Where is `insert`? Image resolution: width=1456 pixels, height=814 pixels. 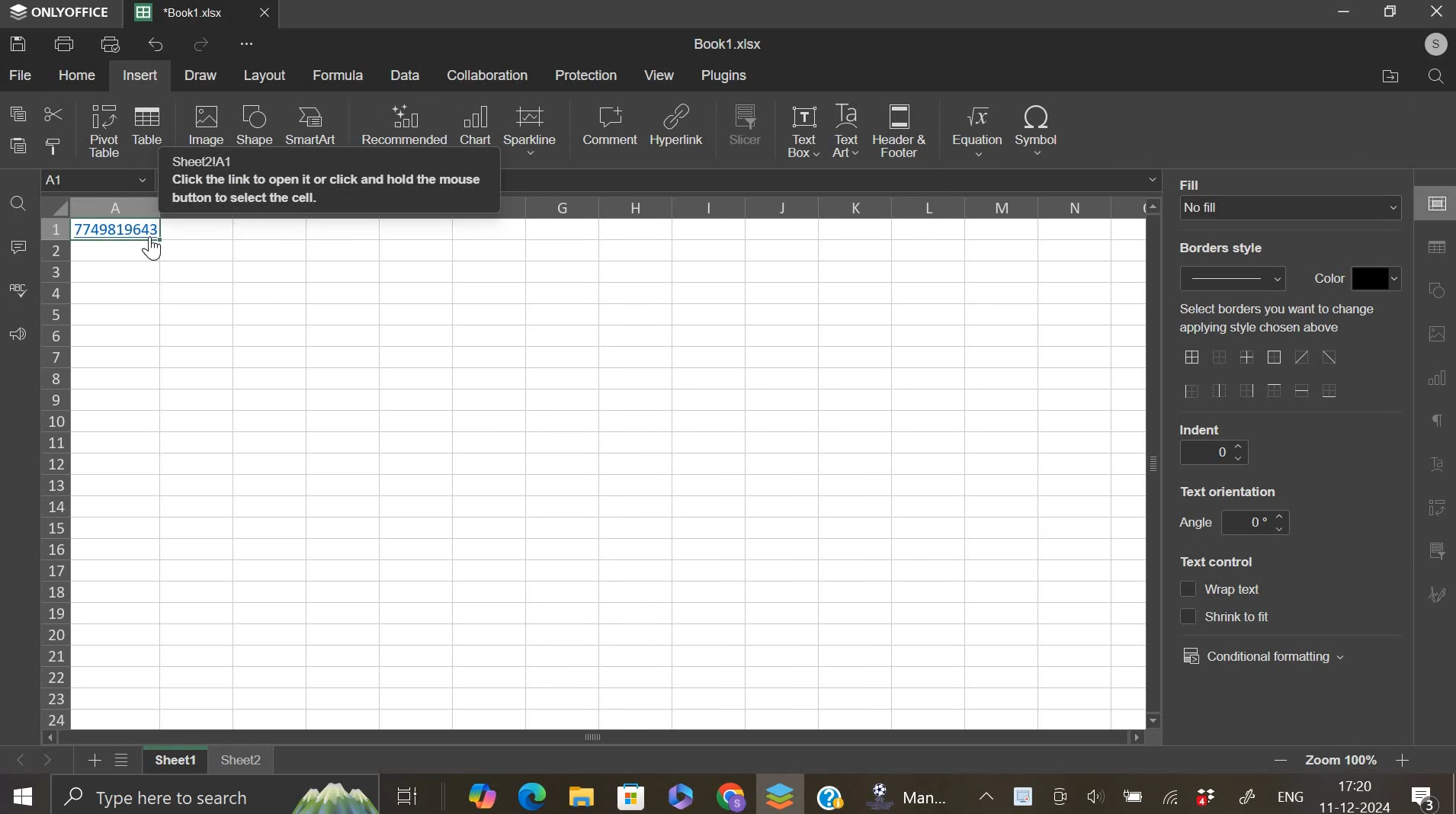 insert is located at coordinates (140, 75).